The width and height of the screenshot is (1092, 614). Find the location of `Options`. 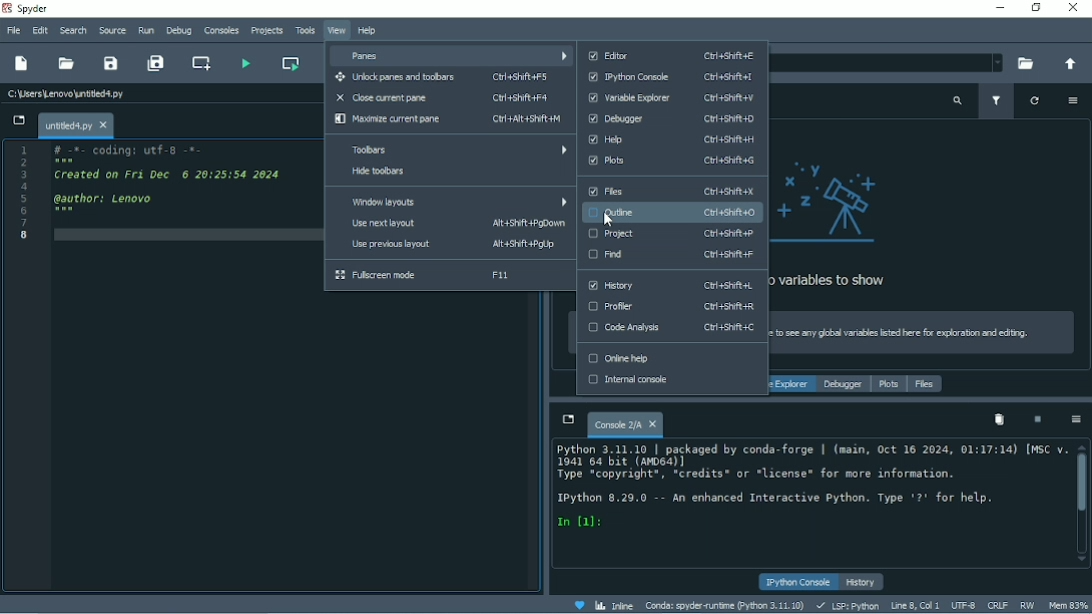

Options is located at coordinates (1073, 101).